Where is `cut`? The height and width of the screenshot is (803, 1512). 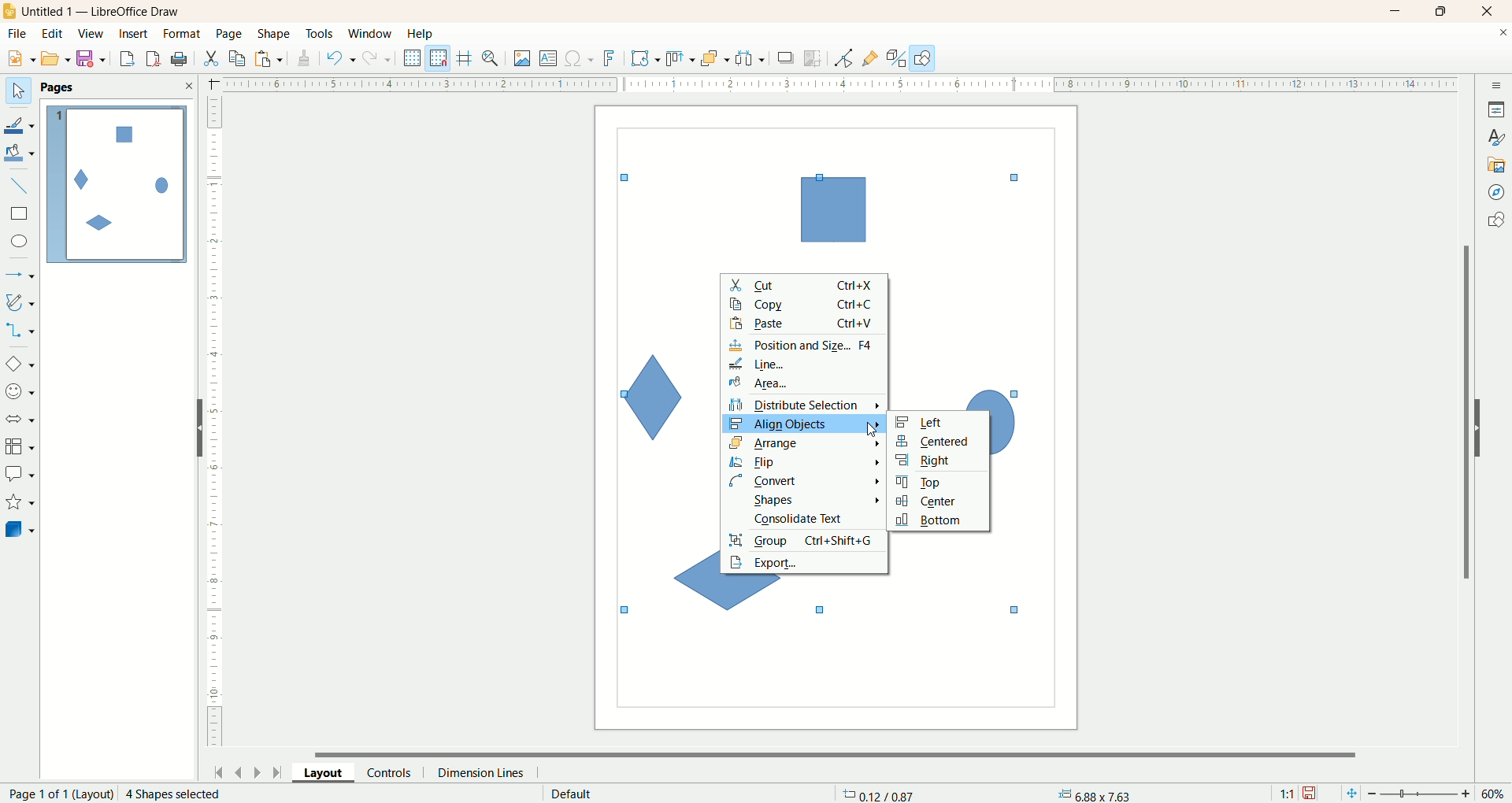
cut is located at coordinates (805, 284).